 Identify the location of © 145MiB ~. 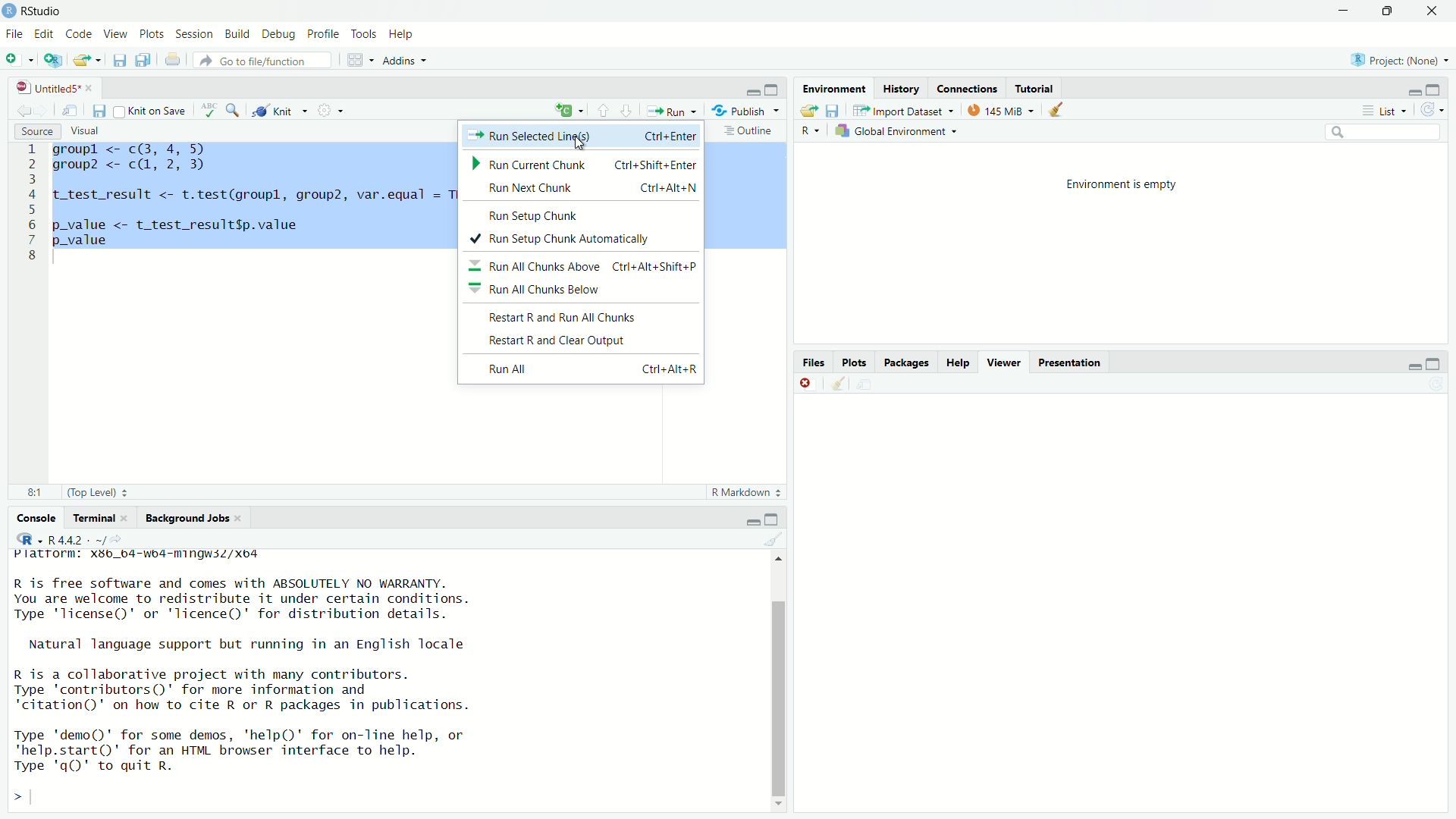
(999, 110).